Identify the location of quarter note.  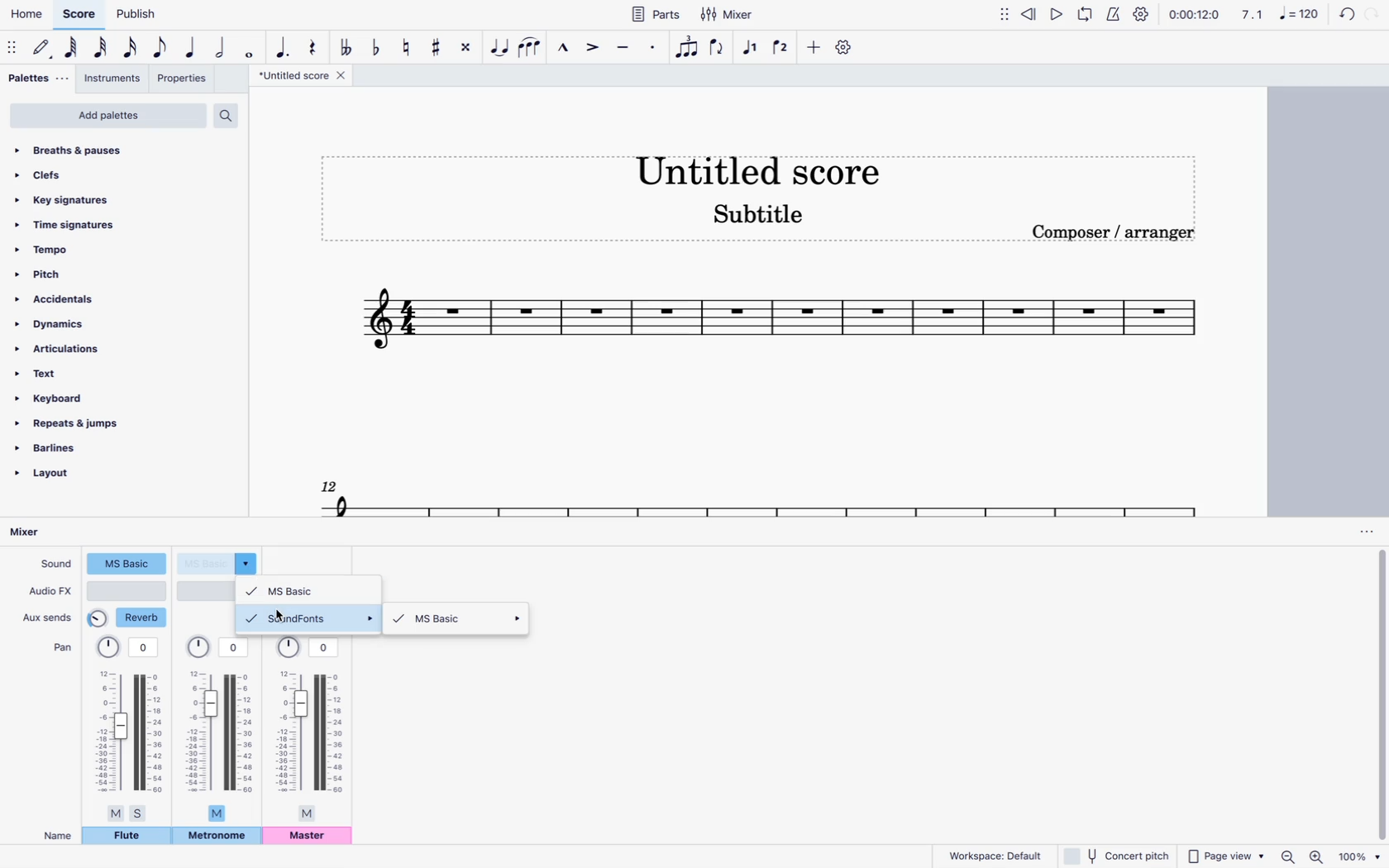
(191, 48).